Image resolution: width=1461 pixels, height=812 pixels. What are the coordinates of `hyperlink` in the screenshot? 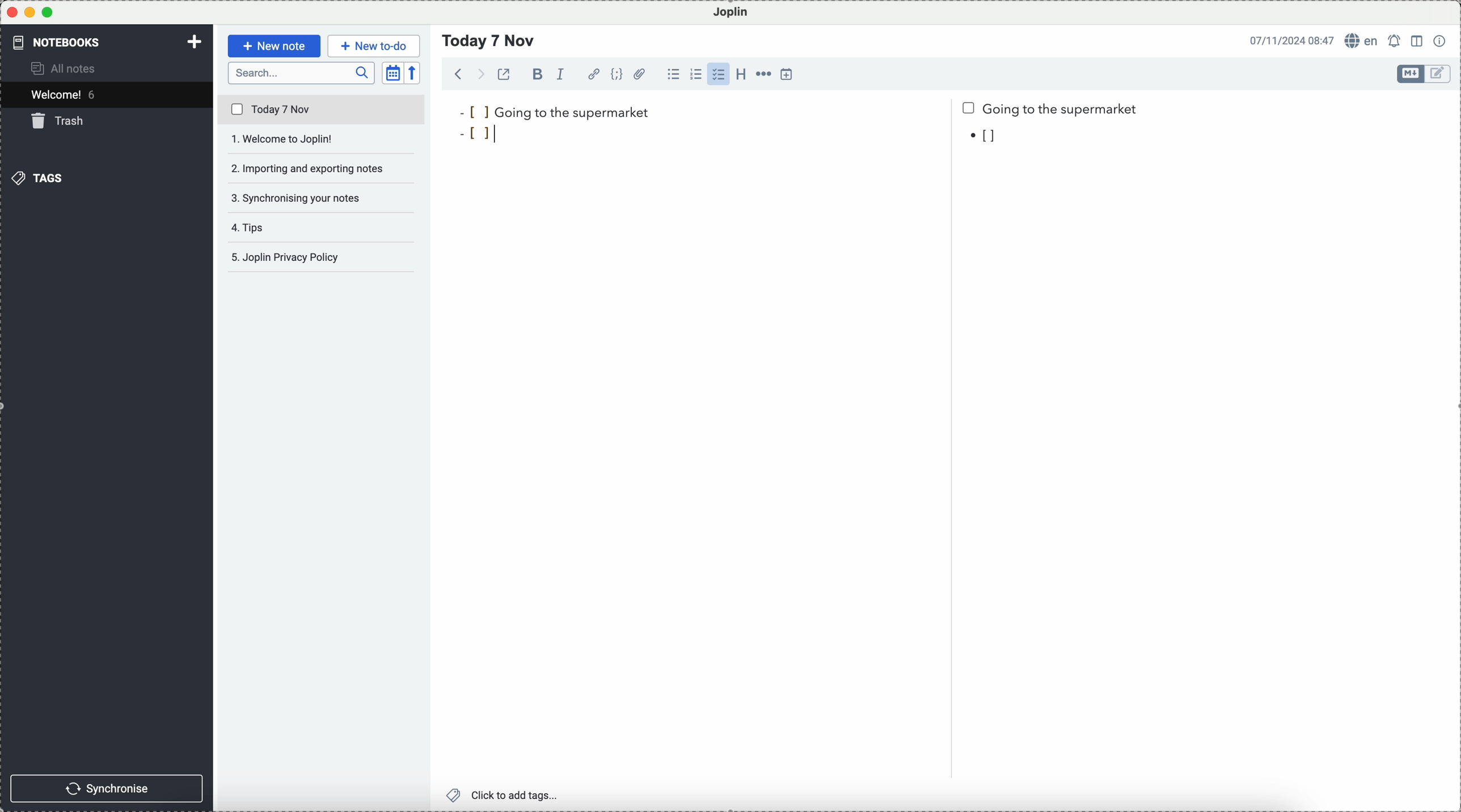 It's located at (594, 74).